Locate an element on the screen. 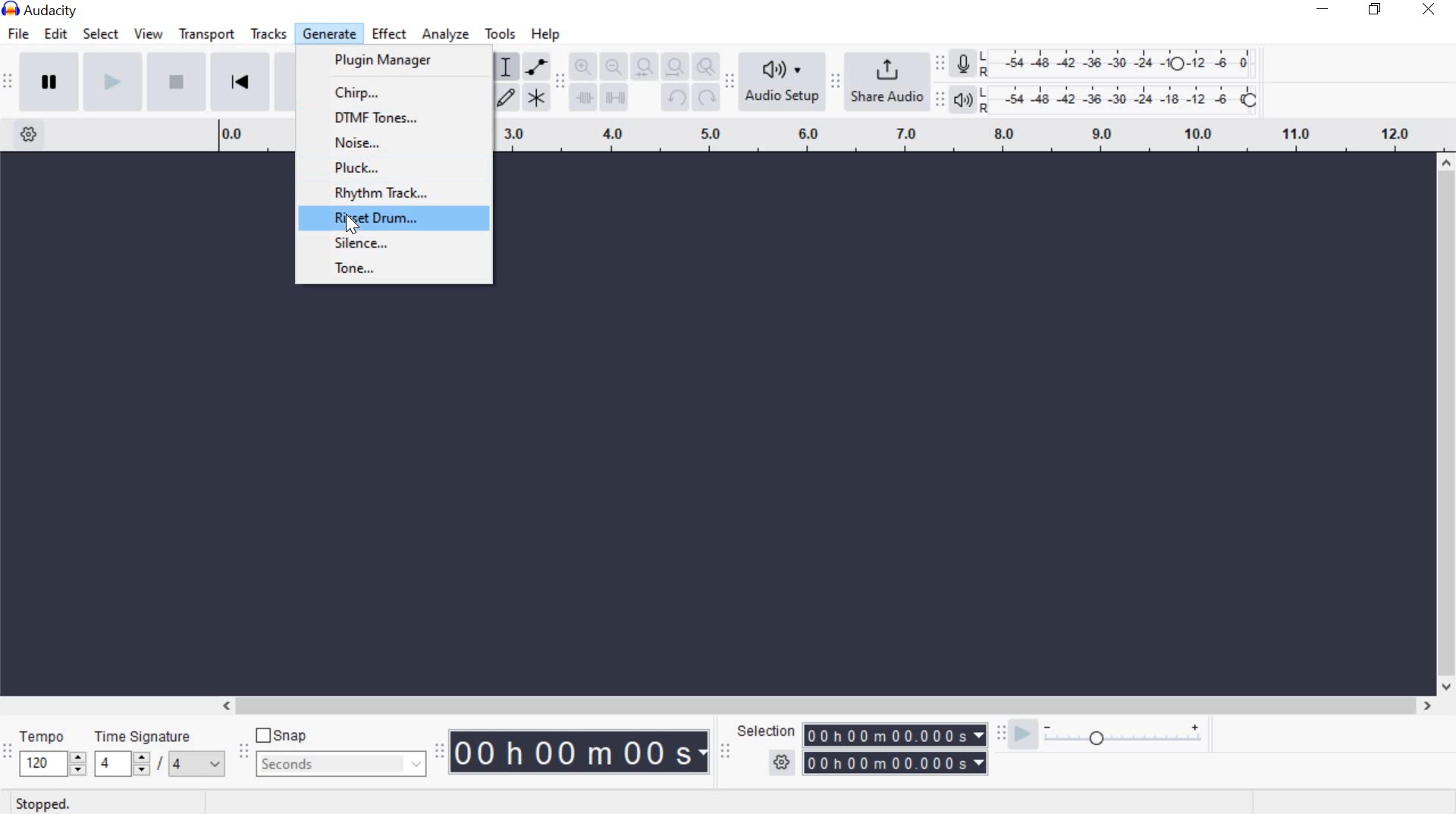 This screenshot has width=1456, height=814. Play-at-speed toolbar is located at coordinates (997, 734).